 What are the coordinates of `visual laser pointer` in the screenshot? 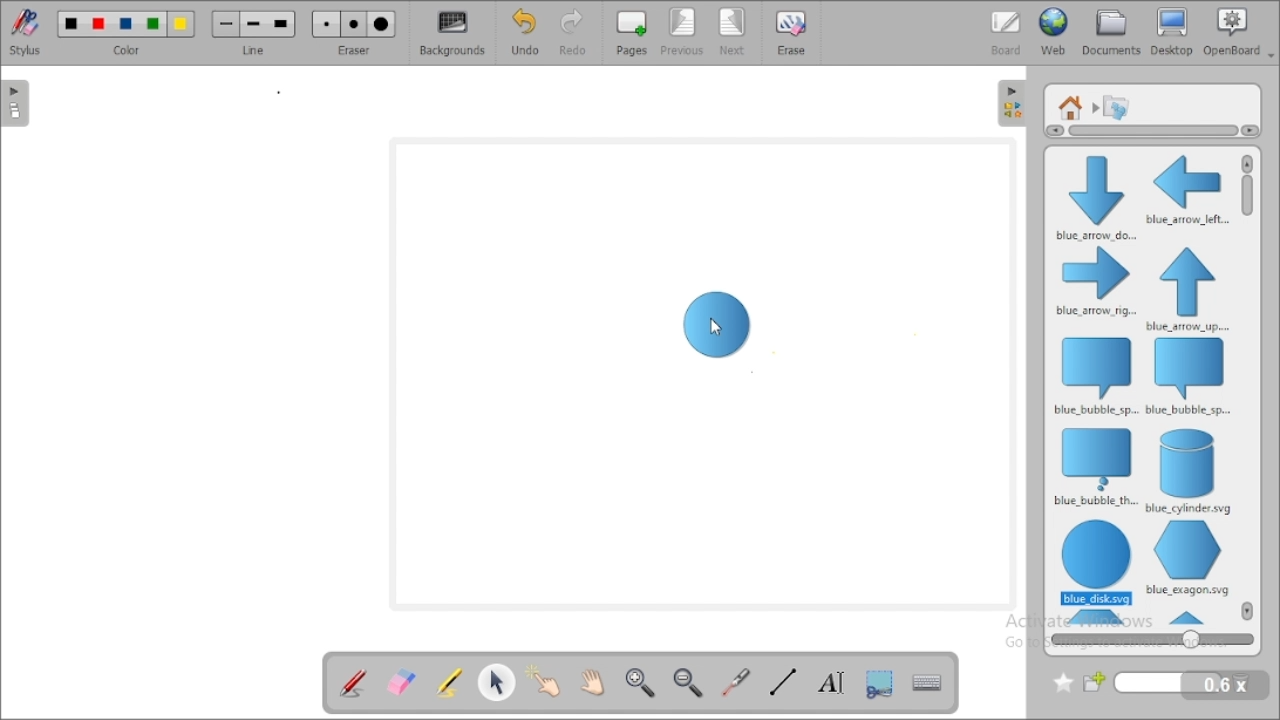 It's located at (737, 683).